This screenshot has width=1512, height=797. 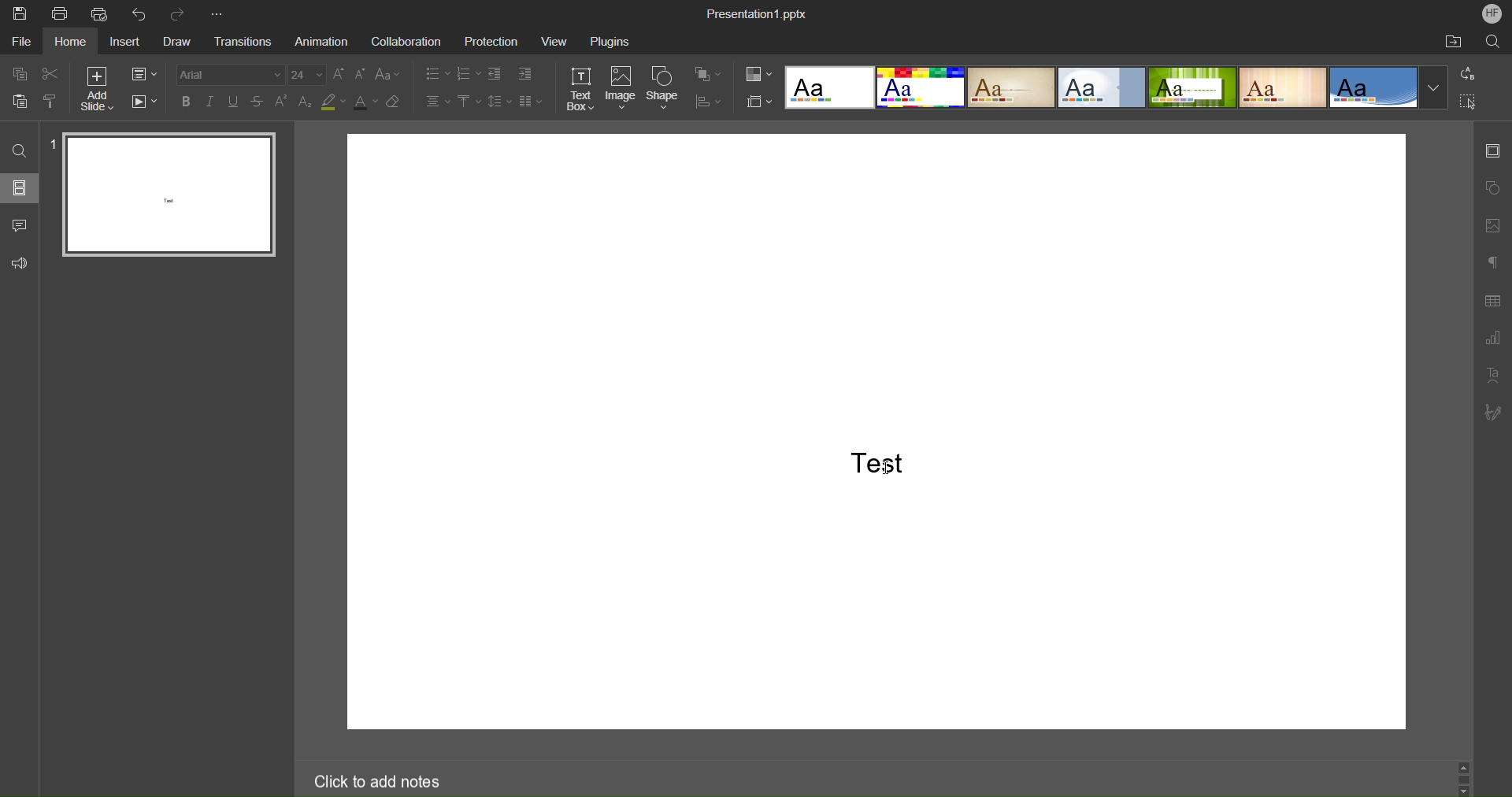 What do you see at coordinates (17, 13) in the screenshot?
I see `Save` at bounding box center [17, 13].